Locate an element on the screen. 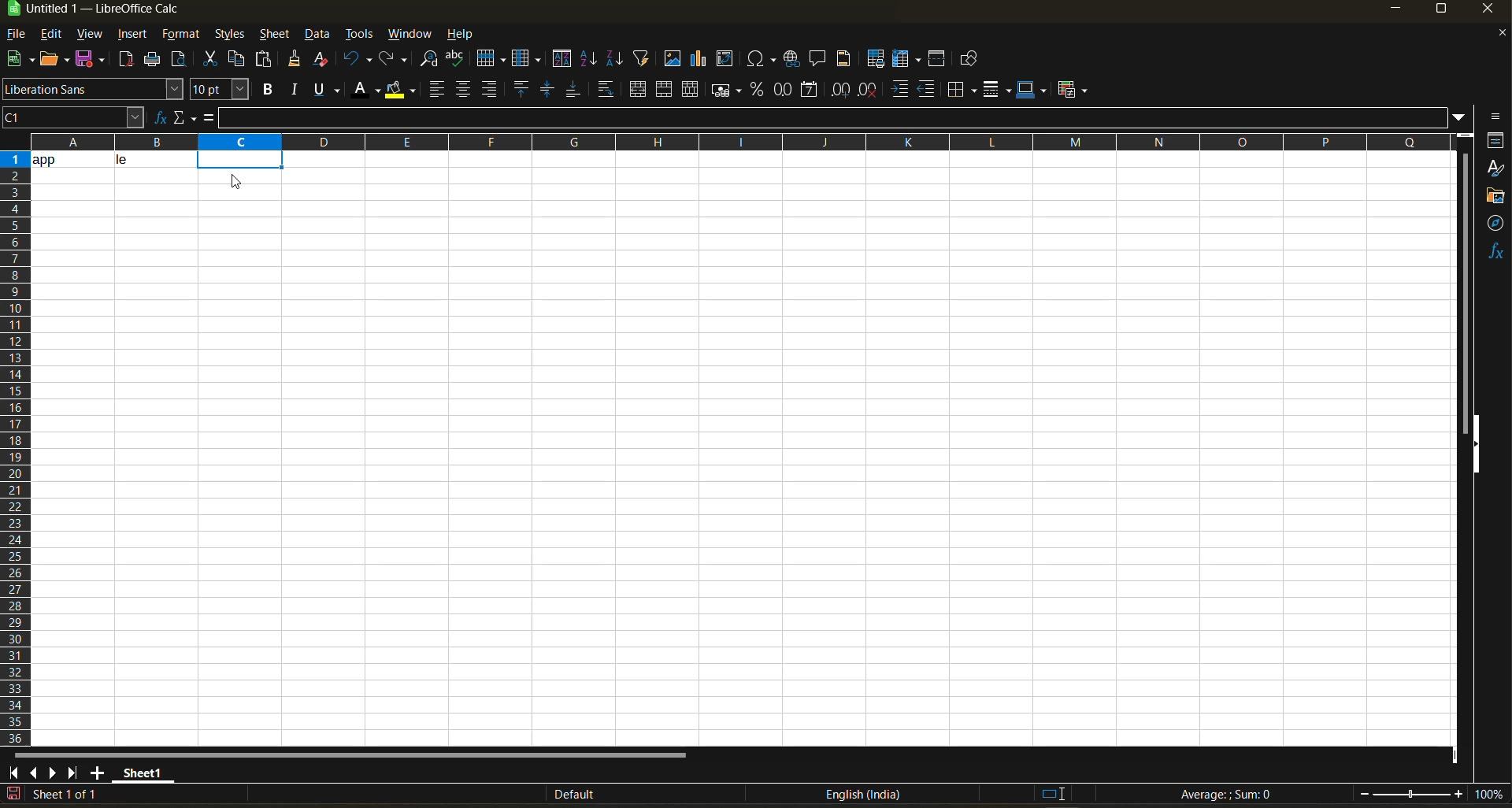 The image size is (1512, 808). cursor is located at coordinates (236, 180).